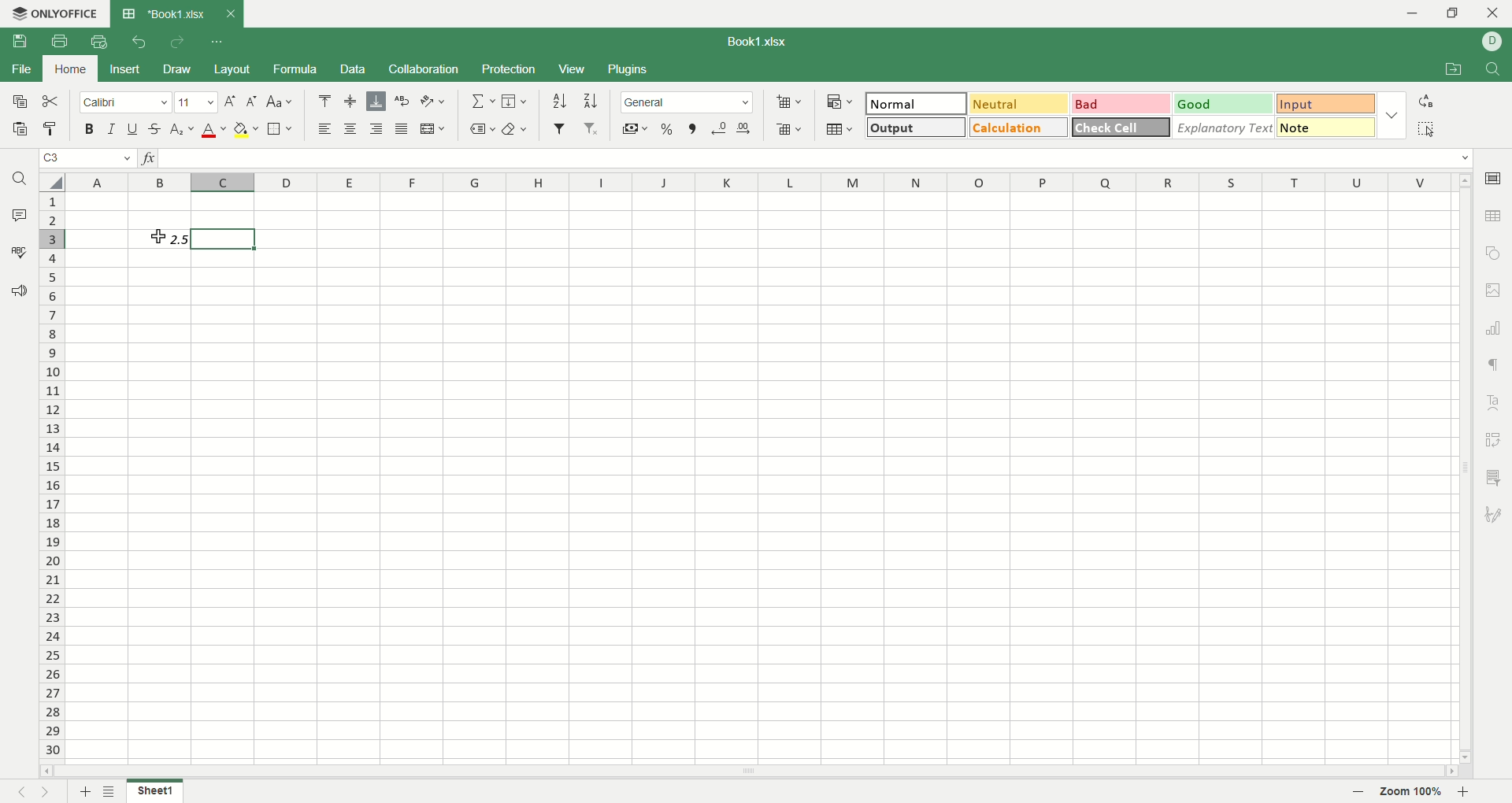 The height and width of the screenshot is (803, 1512). Describe the element at coordinates (374, 128) in the screenshot. I see `align right` at that location.